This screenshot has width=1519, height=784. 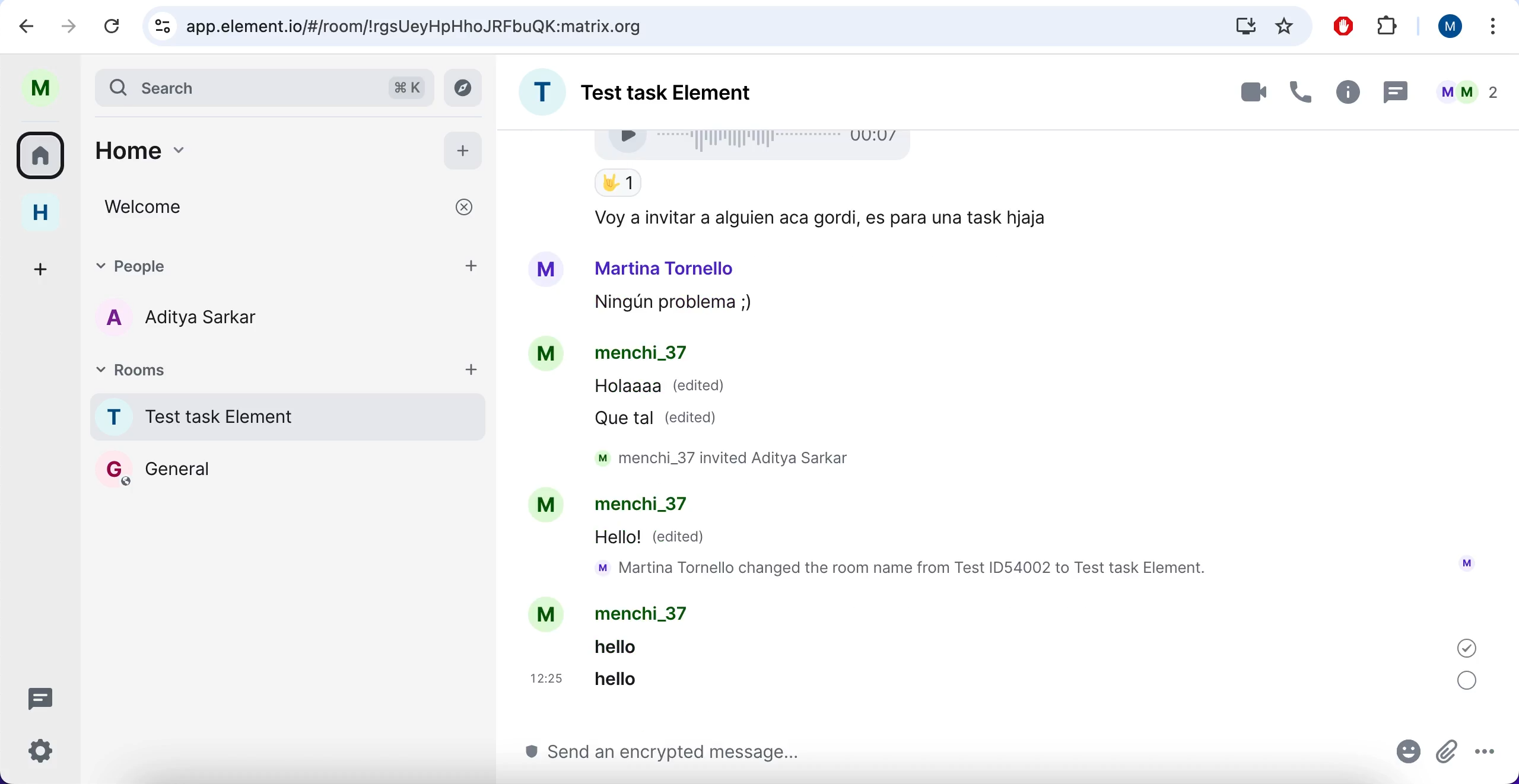 What do you see at coordinates (1445, 26) in the screenshot?
I see `user` at bounding box center [1445, 26].